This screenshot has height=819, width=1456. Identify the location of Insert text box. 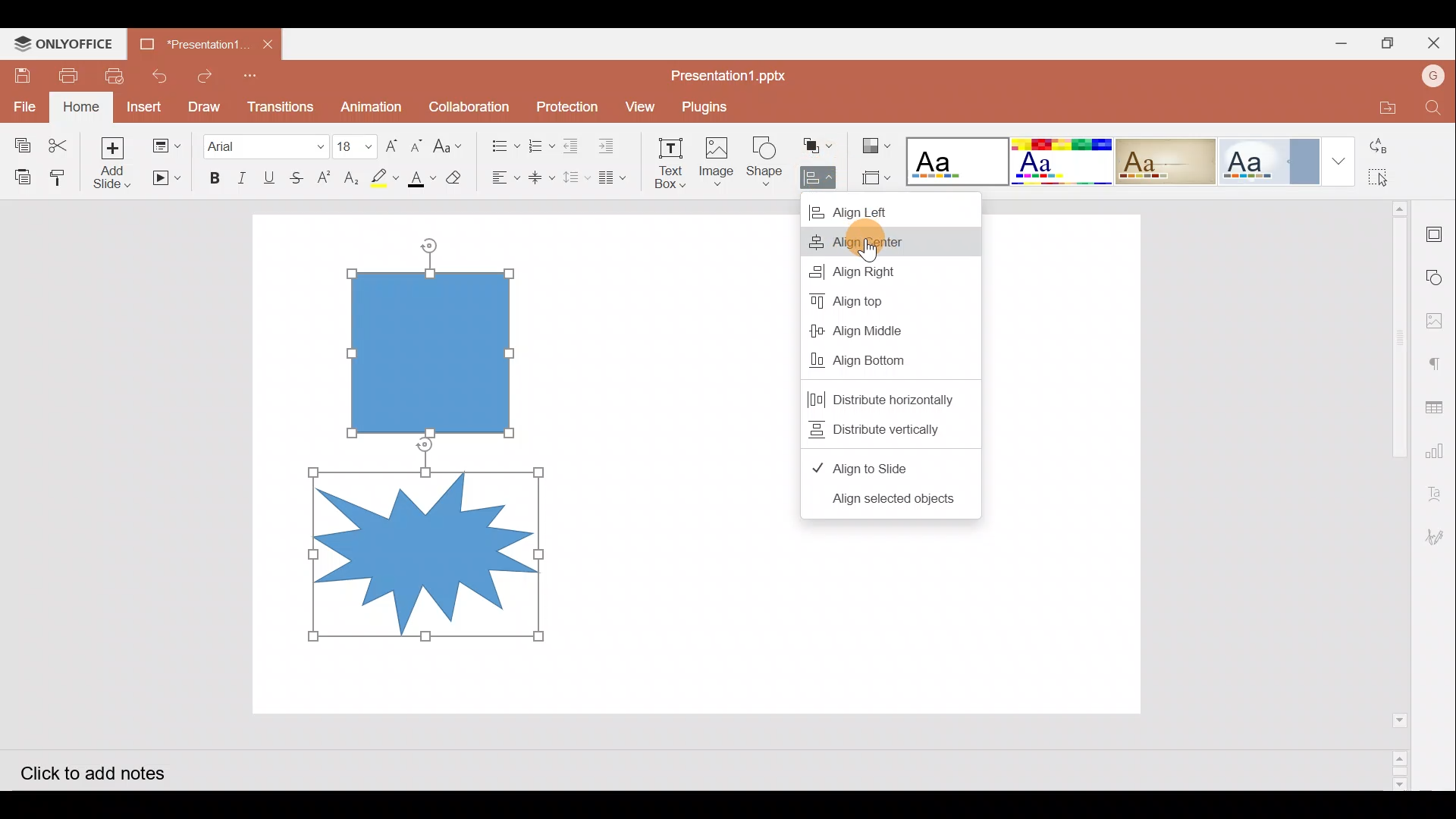
(664, 158).